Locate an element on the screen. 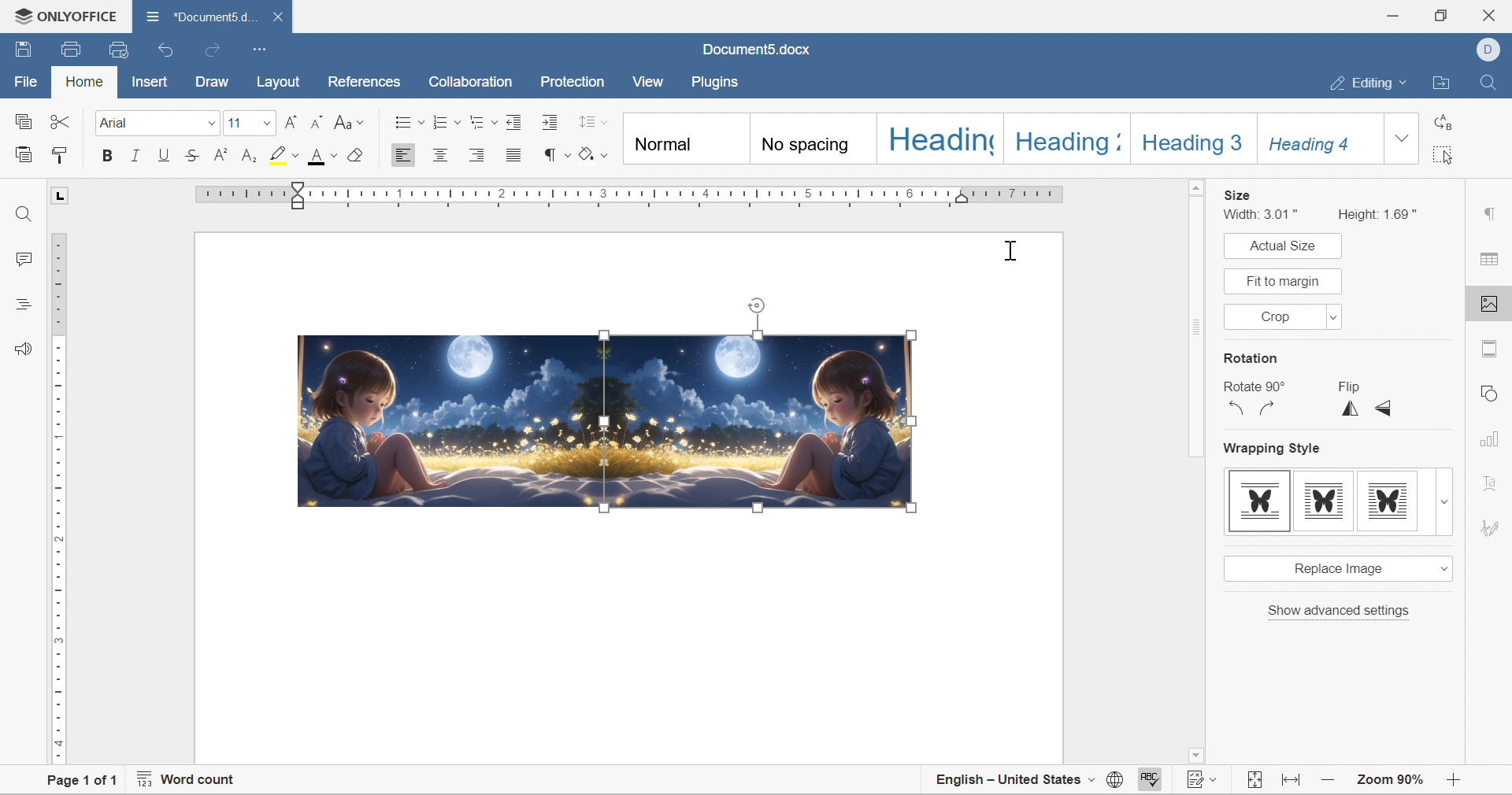  feedback and support is located at coordinates (26, 349).